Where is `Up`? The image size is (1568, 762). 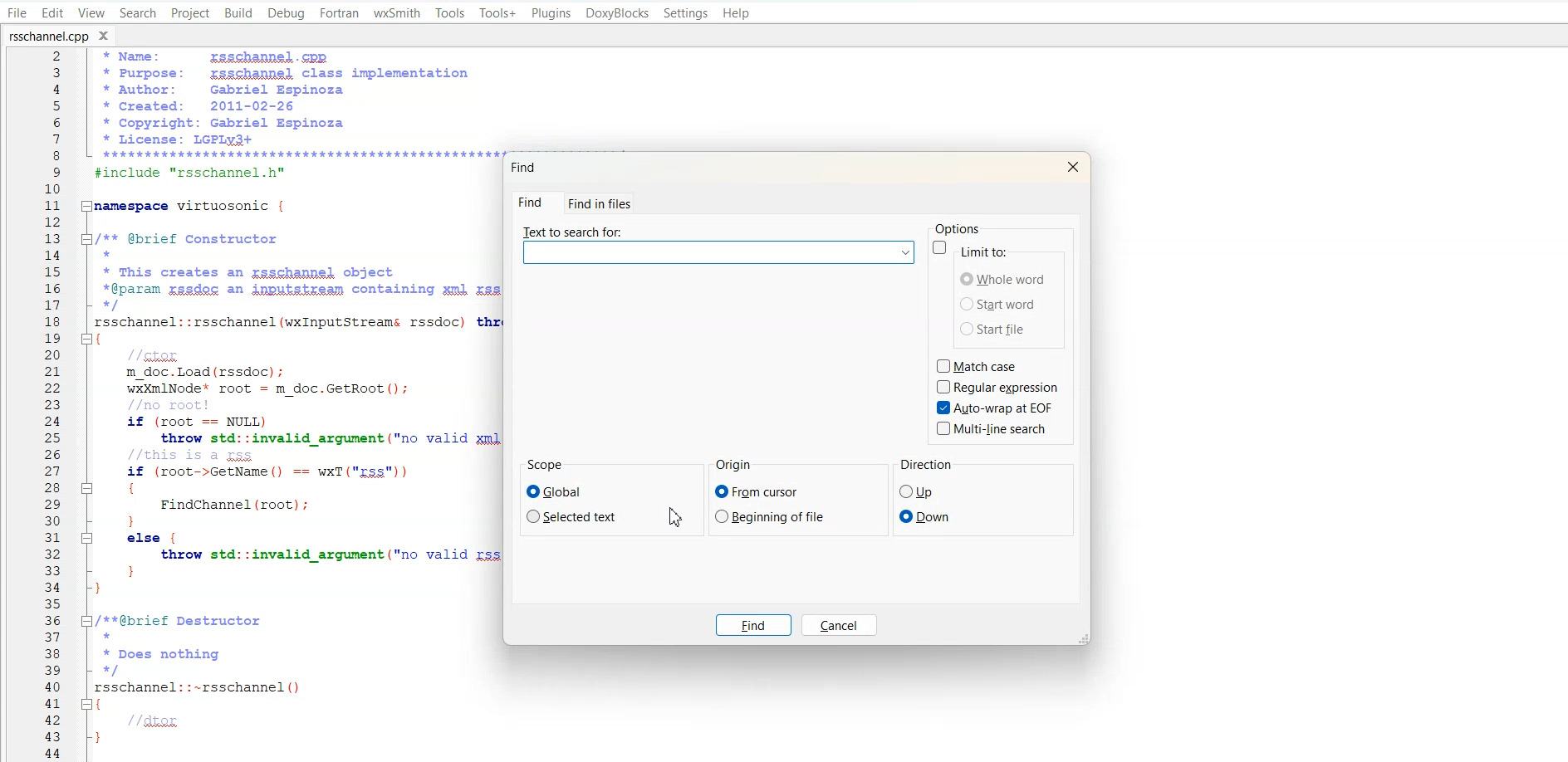 Up is located at coordinates (917, 491).